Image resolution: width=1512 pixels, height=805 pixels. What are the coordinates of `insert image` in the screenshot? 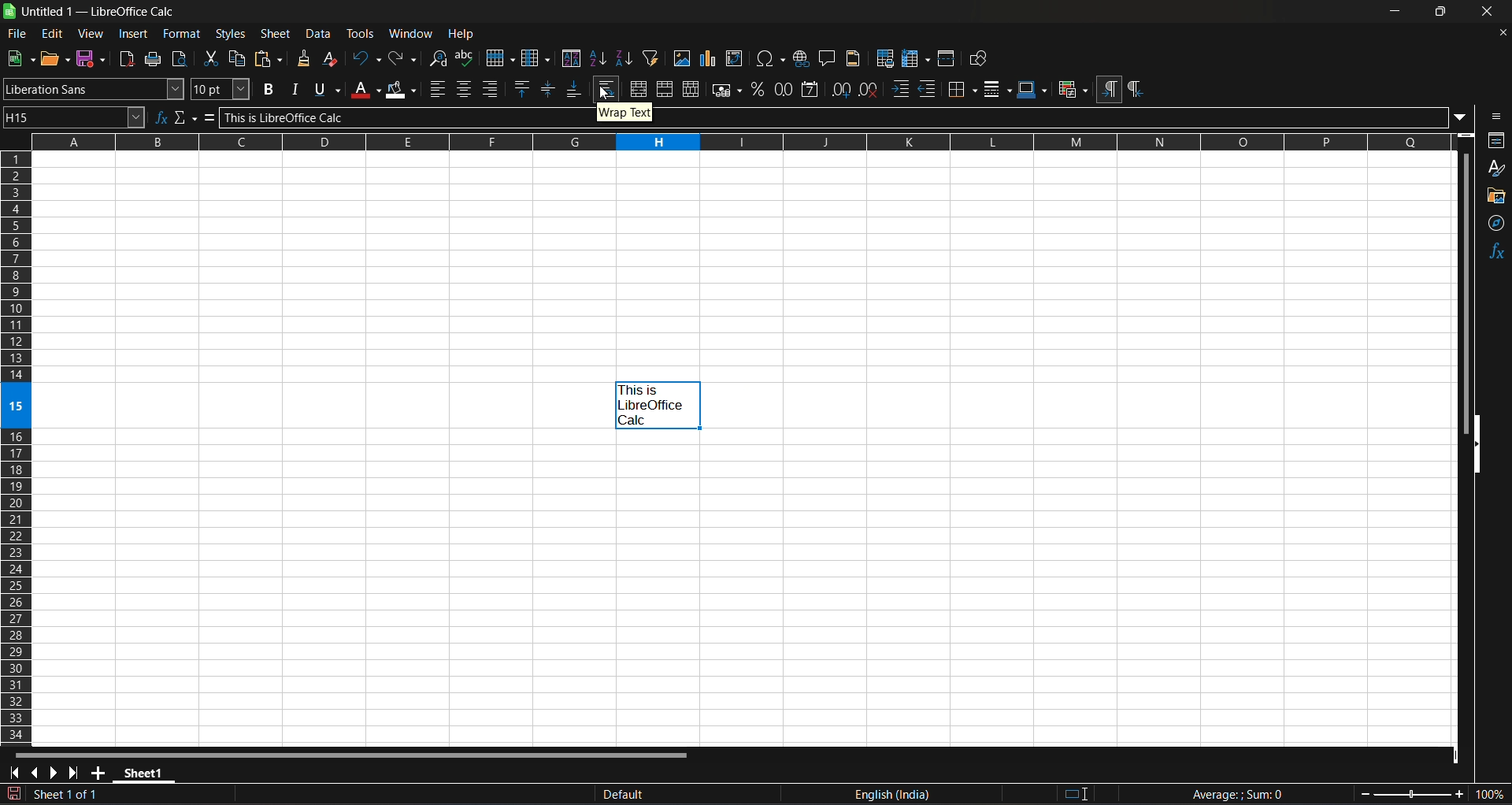 It's located at (683, 57).